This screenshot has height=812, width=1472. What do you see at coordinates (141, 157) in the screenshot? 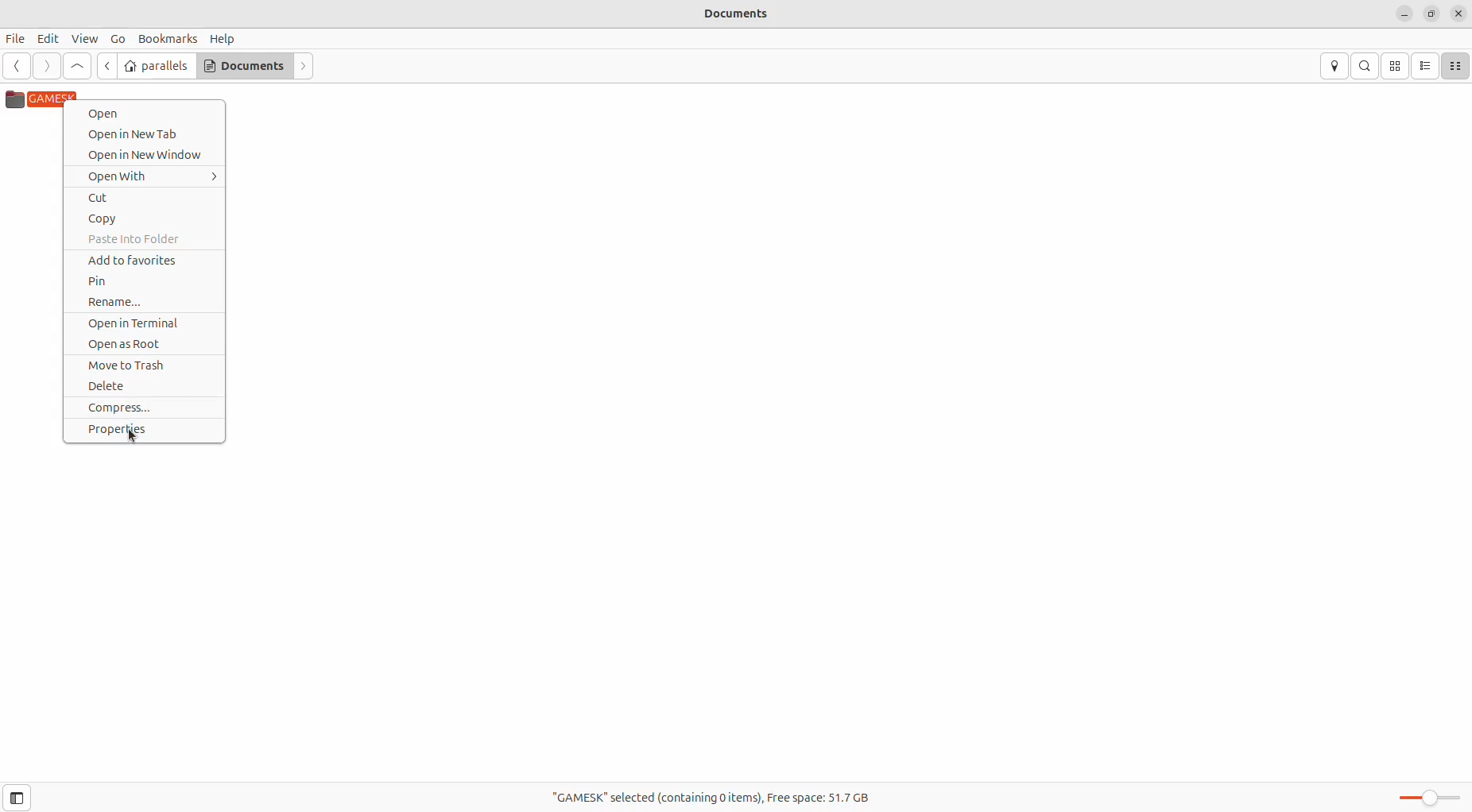
I see `Open in New Window` at bounding box center [141, 157].